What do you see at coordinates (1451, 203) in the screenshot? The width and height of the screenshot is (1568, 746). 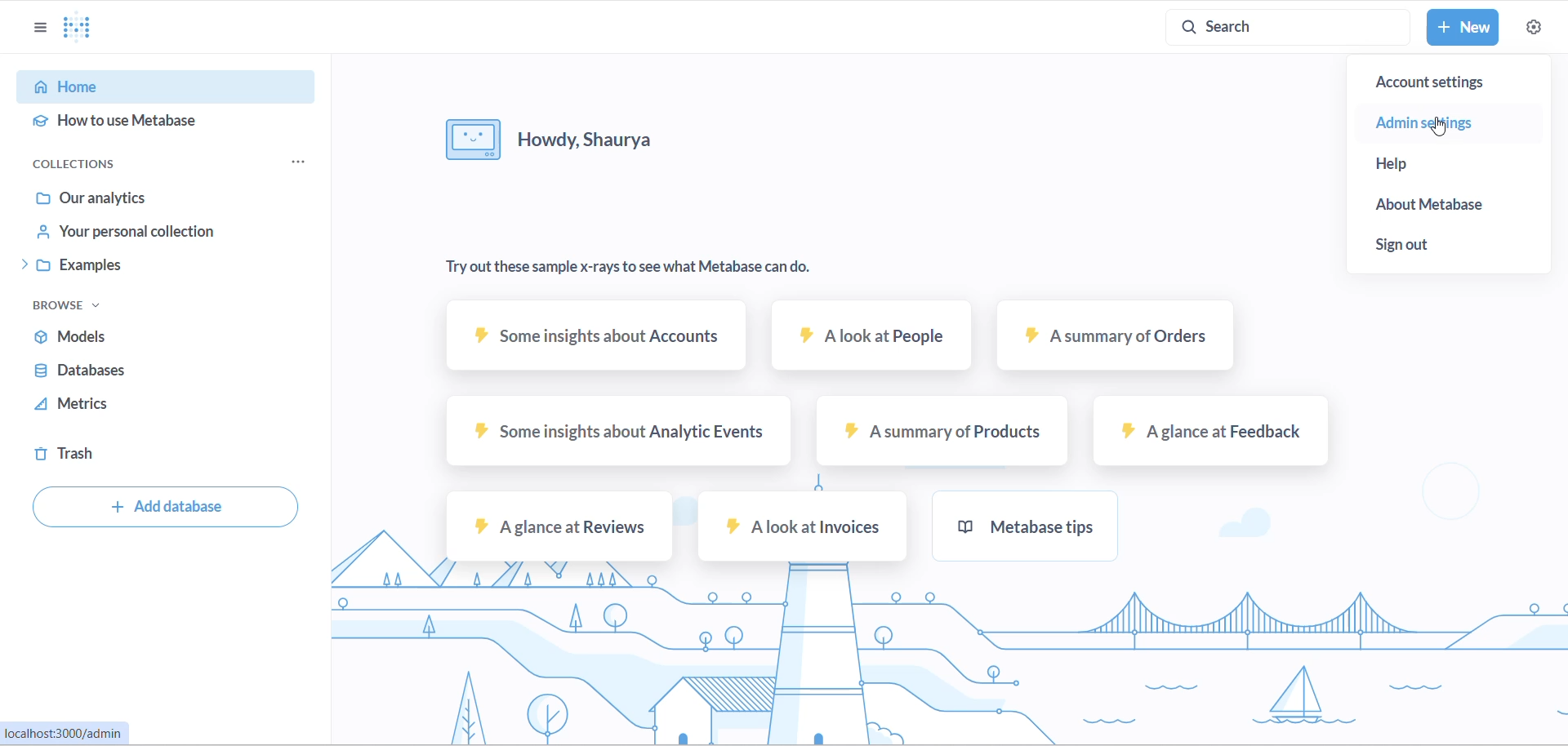 I see `about metabase` at bounding box center [1451, 203].